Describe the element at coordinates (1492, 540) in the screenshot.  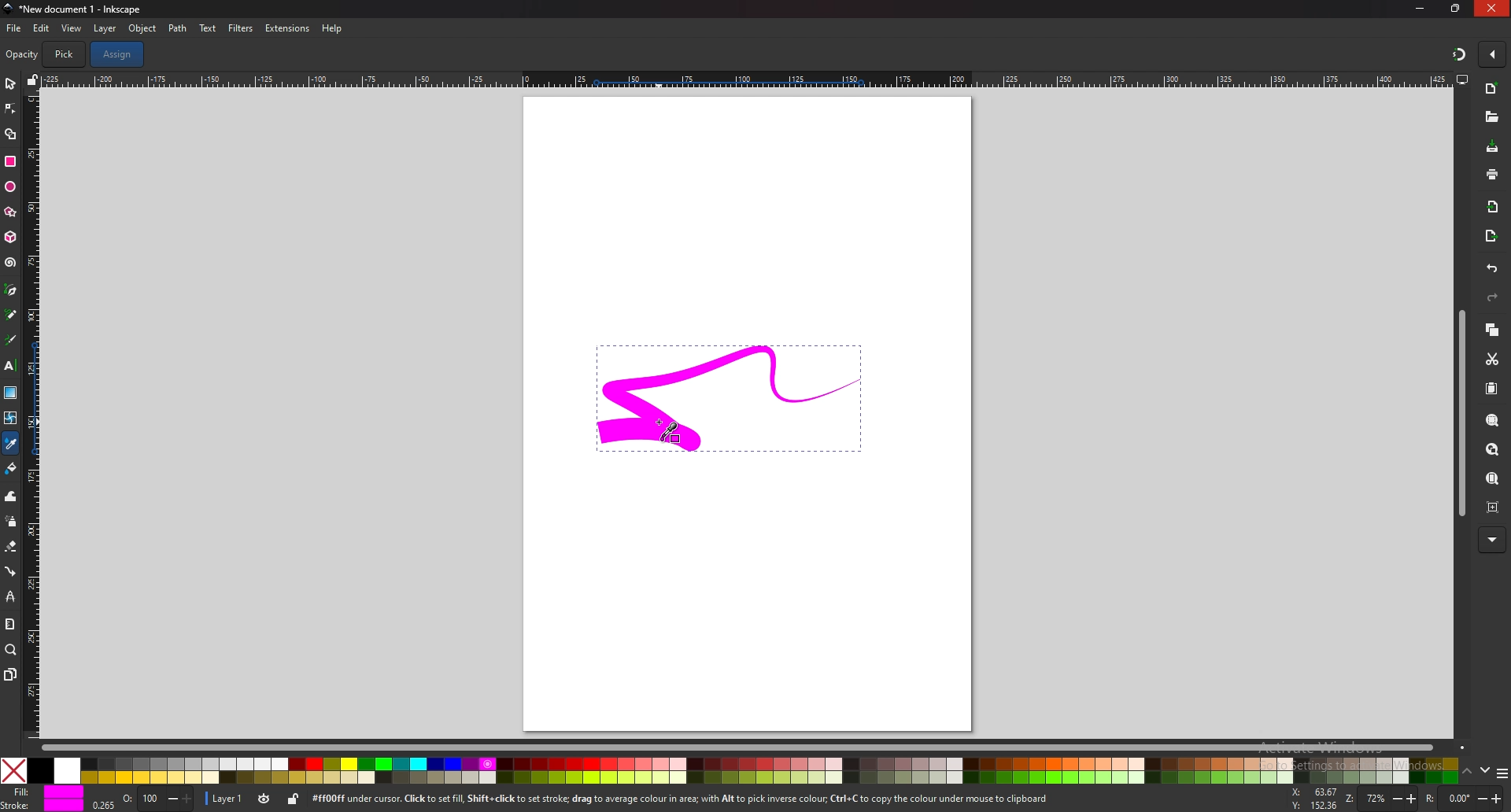
I see `more` at that location.